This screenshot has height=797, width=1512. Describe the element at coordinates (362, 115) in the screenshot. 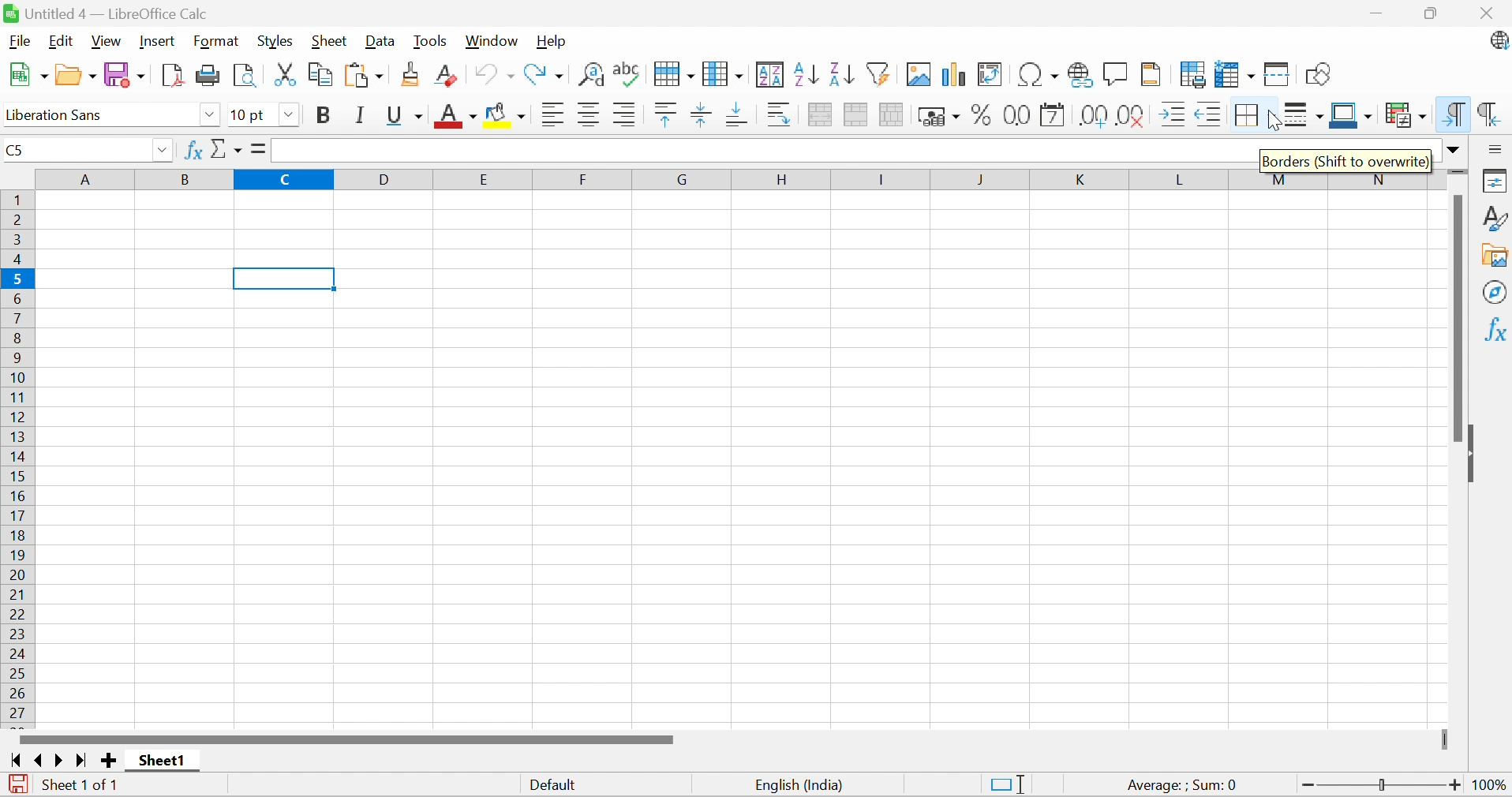

I see `Italic` at that location.